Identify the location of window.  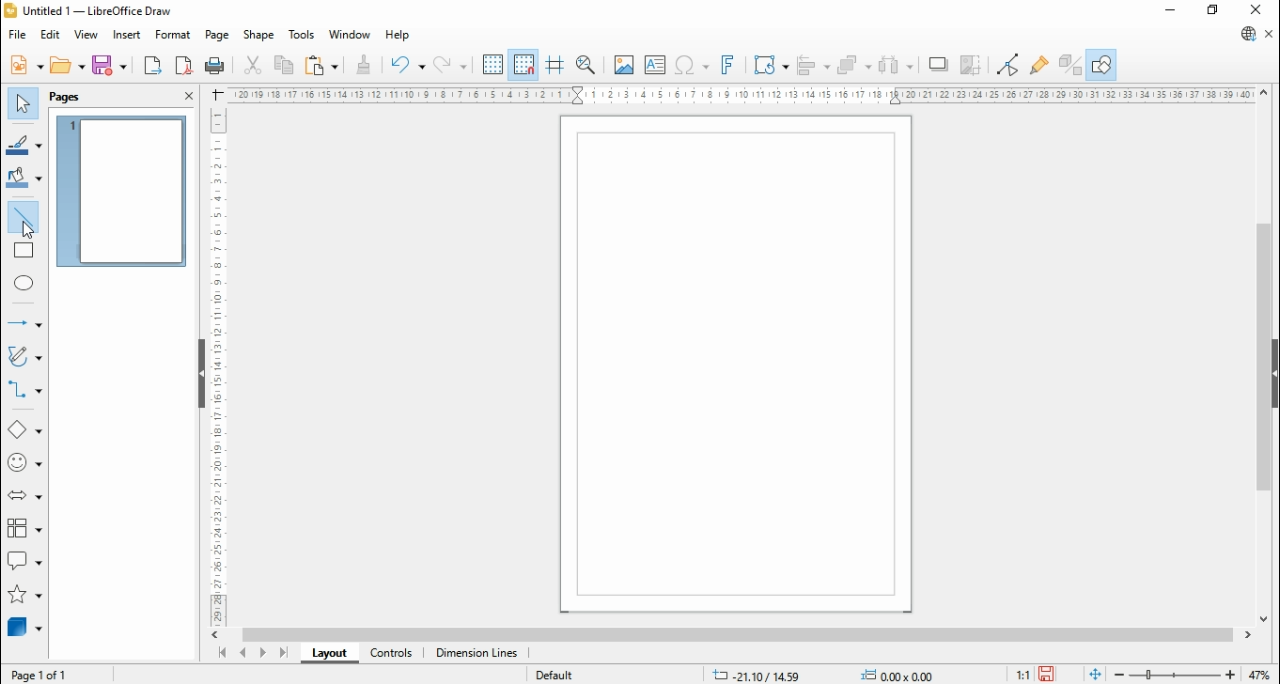
(349, 36).